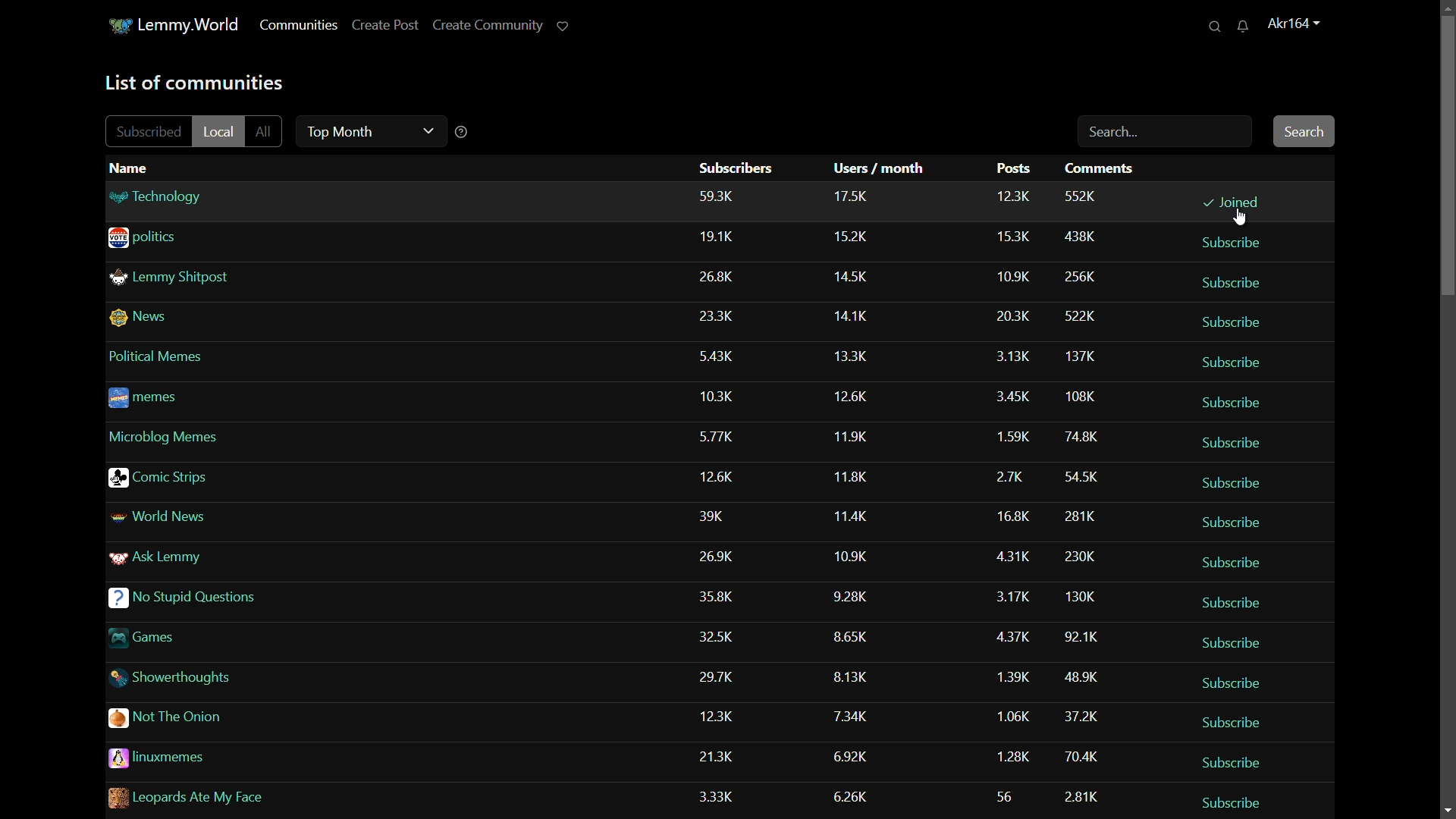 The image size is (1456, 819). I want to click on user per month, so click(851, 555).